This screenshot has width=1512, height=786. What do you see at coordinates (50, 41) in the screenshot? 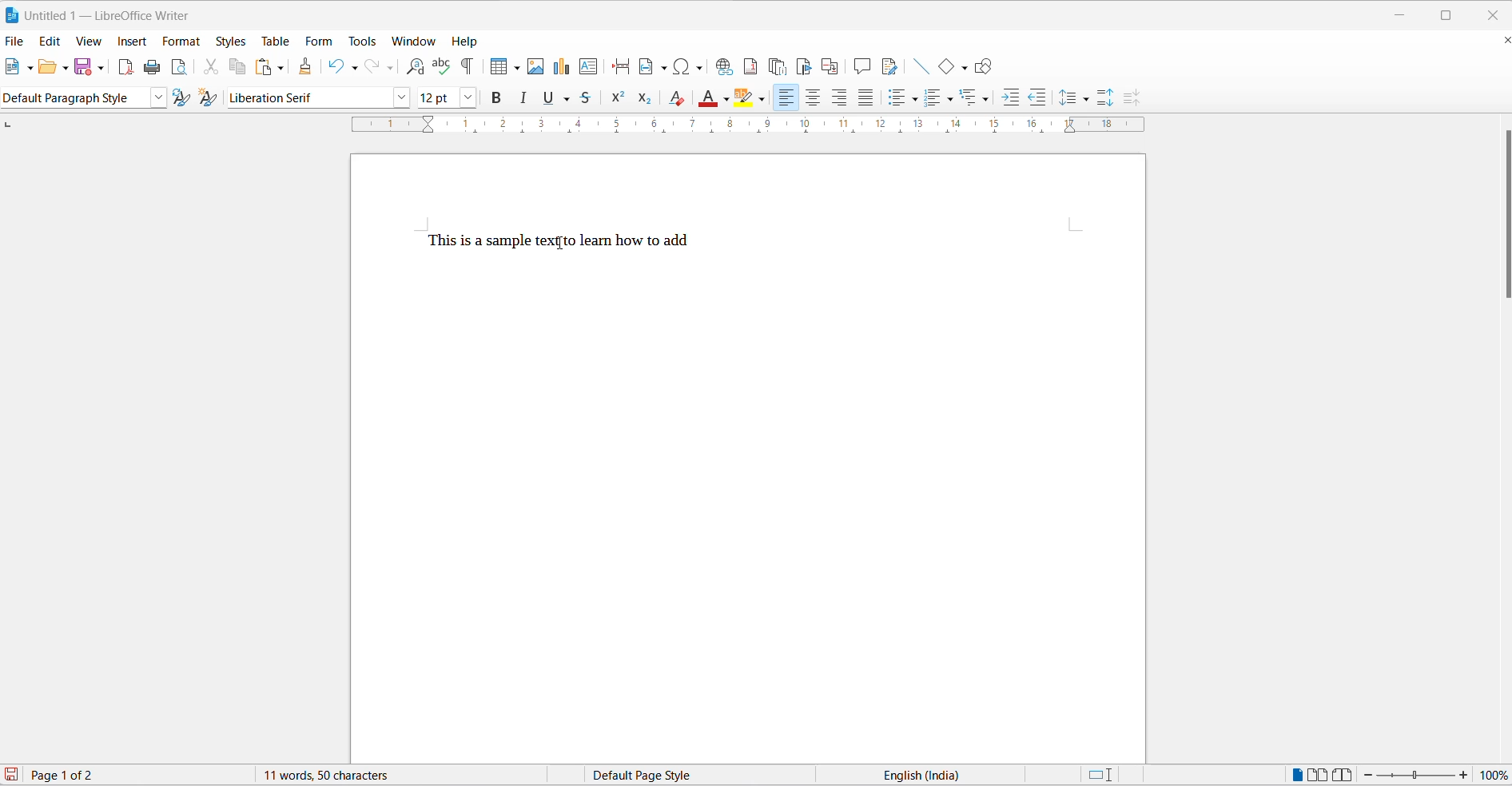
I see `edit` at bounding box center [50, 41].